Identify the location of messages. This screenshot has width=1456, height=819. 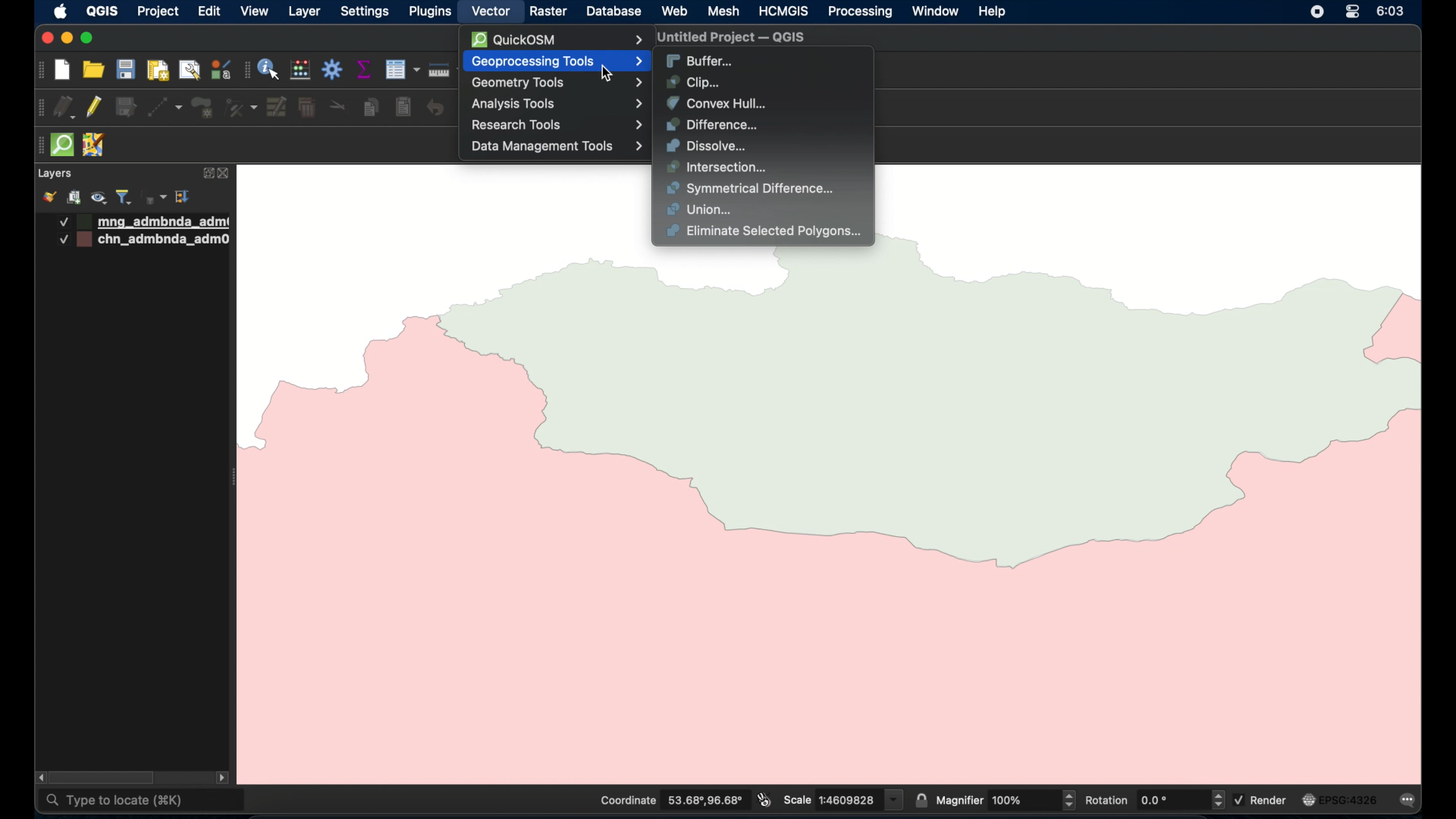
(1410, 802).